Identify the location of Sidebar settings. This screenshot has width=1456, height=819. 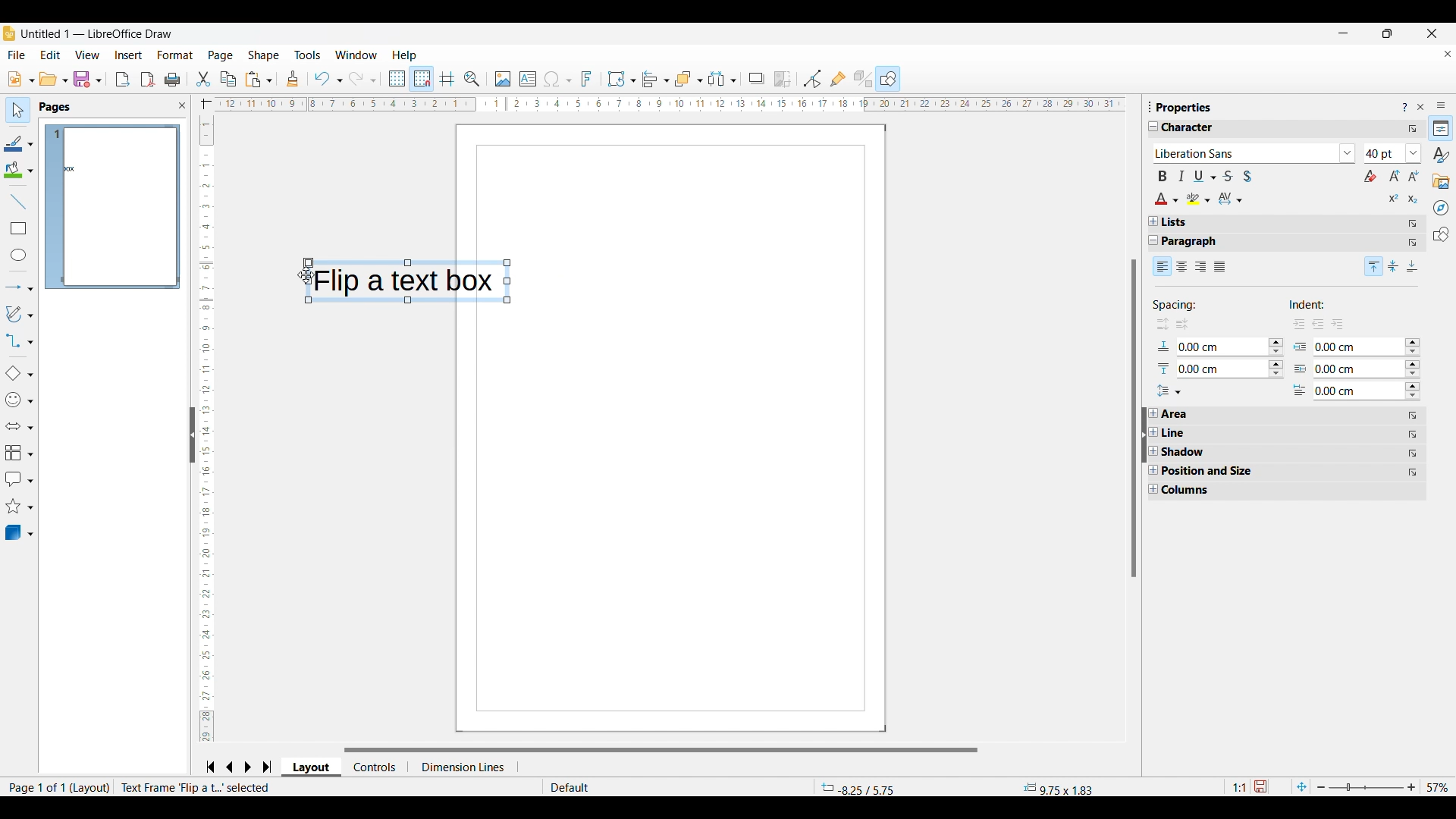
(1442, 105).